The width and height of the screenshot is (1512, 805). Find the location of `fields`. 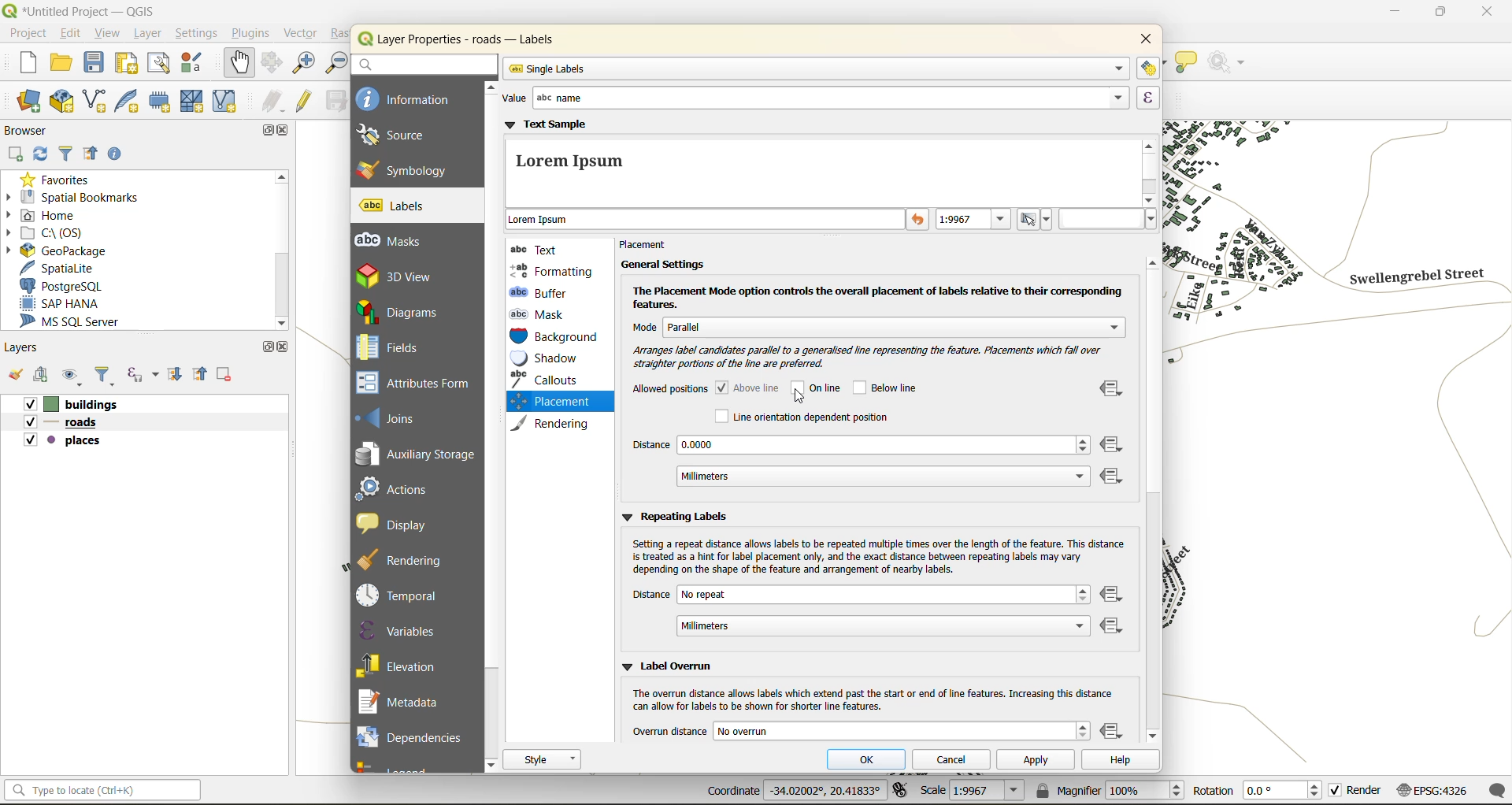

fields is located at coordinates (389, 347).